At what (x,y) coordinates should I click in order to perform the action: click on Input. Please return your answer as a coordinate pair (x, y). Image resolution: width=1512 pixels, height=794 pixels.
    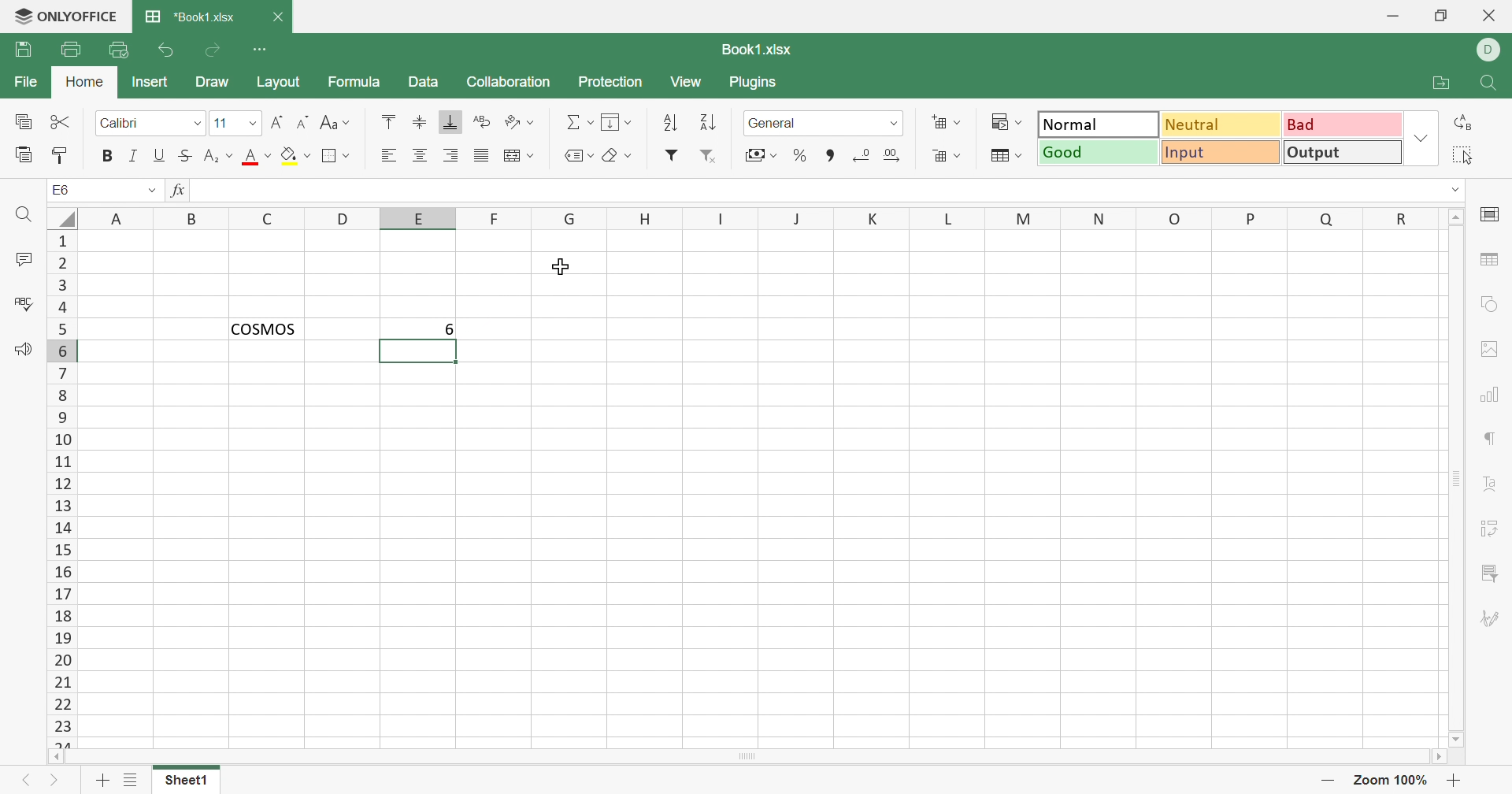
    Looking at the image, I should click on (1219, 153).